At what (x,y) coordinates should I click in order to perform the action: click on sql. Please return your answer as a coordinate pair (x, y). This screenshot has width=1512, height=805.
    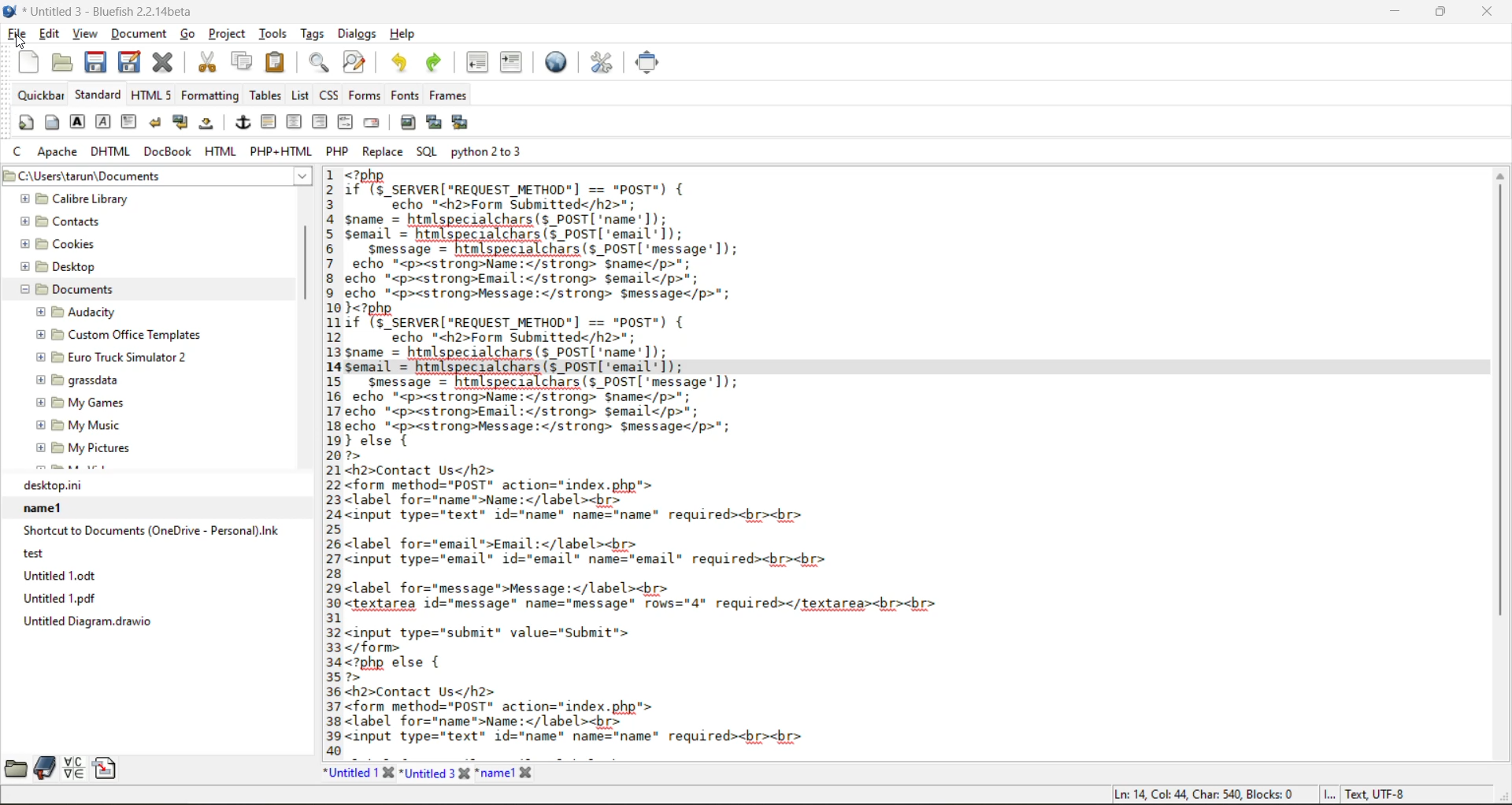
    Looking at the image, I should click on (425, 150).